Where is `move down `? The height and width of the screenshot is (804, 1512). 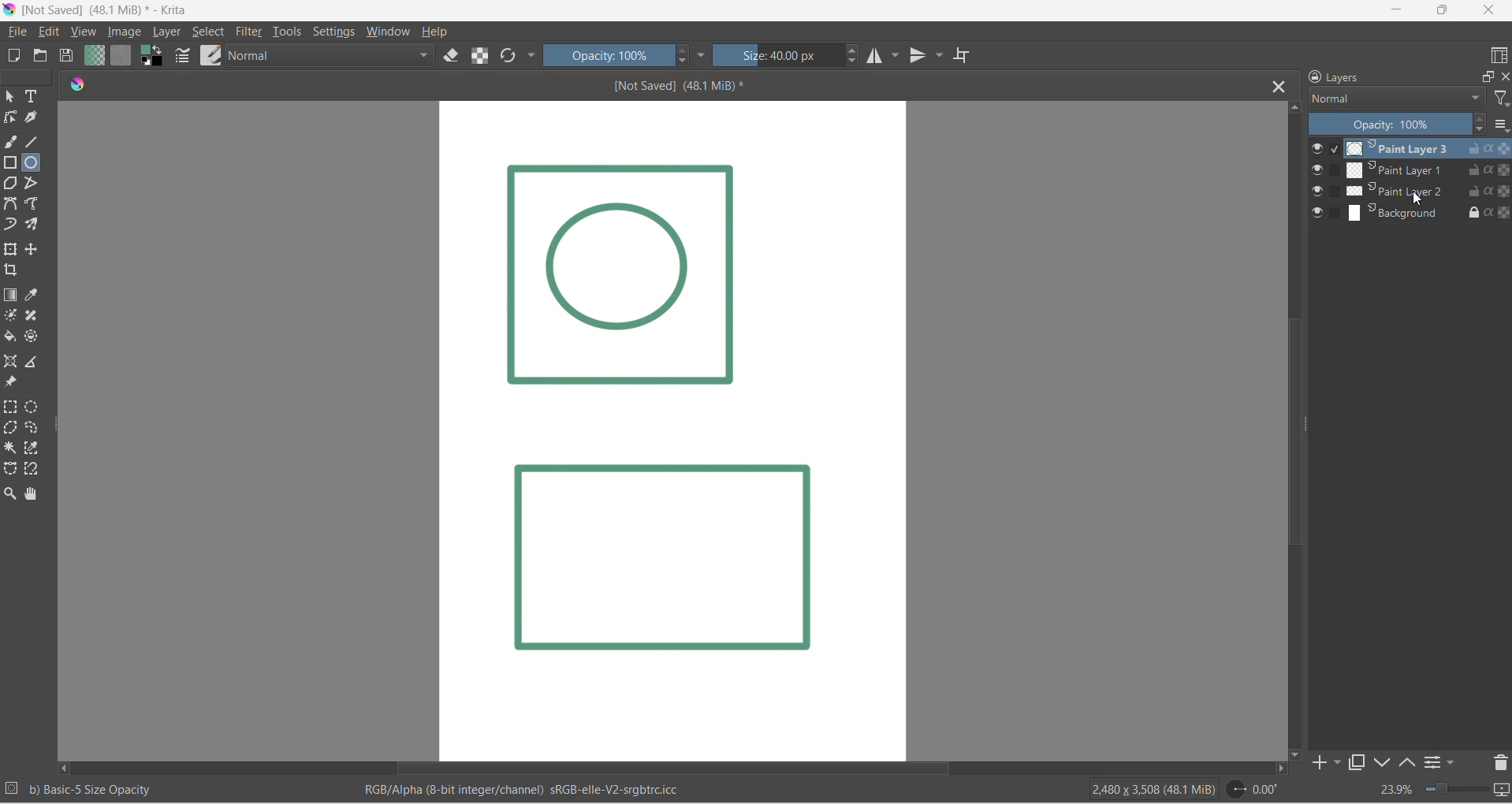
move down  is located at coordinates (1296, 754).